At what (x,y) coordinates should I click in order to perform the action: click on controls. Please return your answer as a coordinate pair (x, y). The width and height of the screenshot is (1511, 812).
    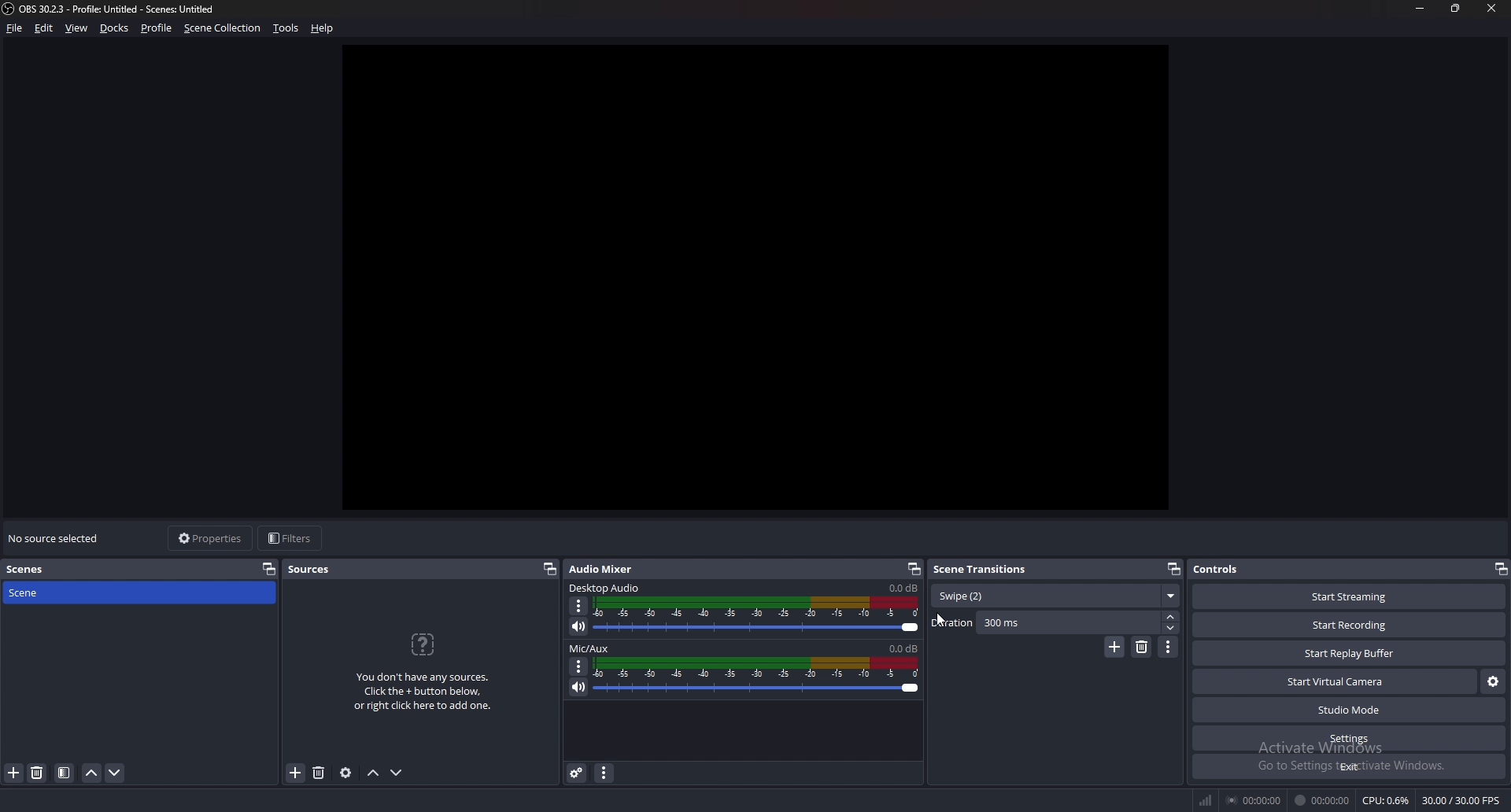
    Looking at the image, I should click on (1228, 569).